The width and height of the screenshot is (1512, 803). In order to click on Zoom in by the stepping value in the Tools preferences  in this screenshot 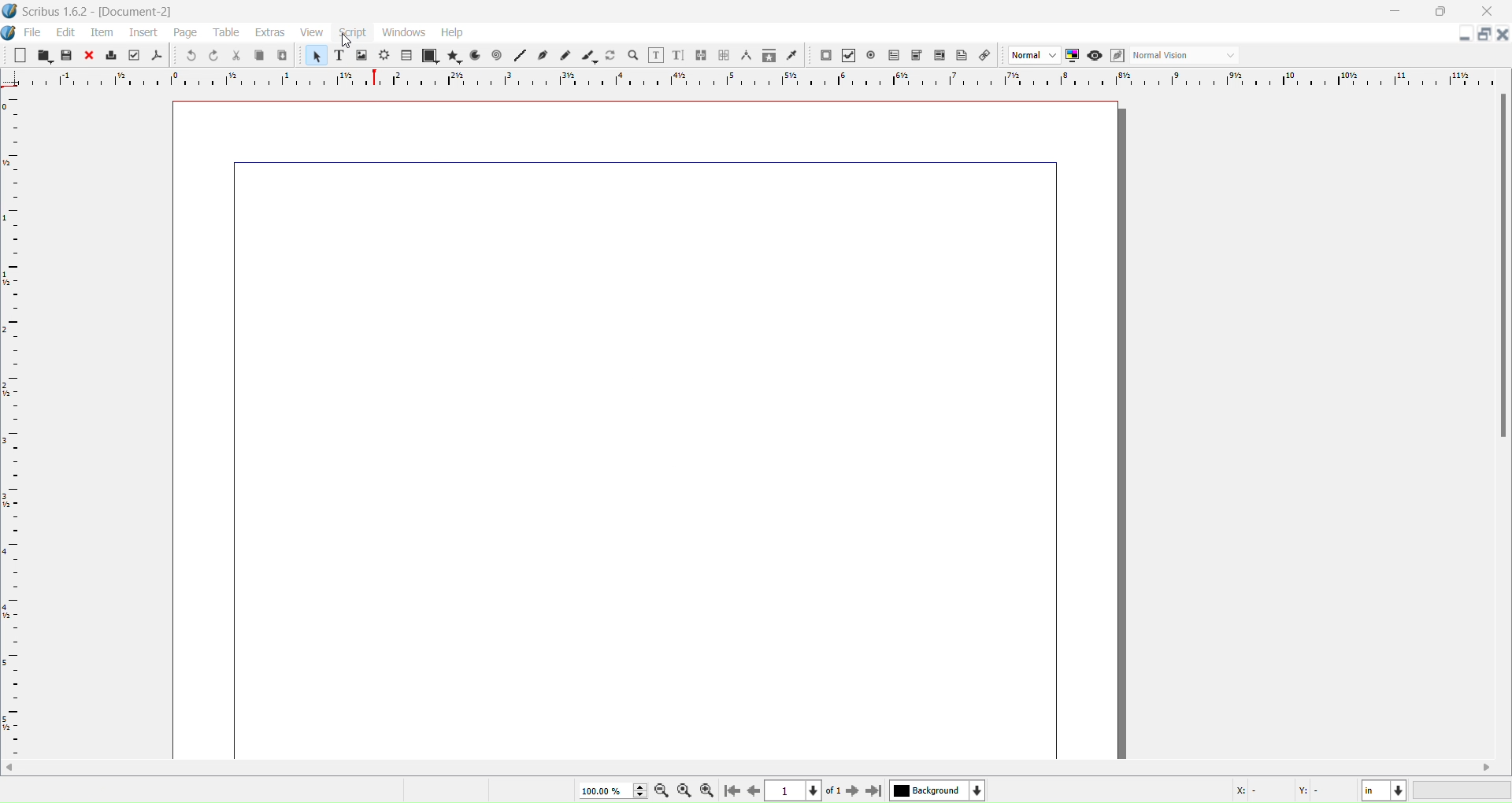, I will do `click(706, 791)`.